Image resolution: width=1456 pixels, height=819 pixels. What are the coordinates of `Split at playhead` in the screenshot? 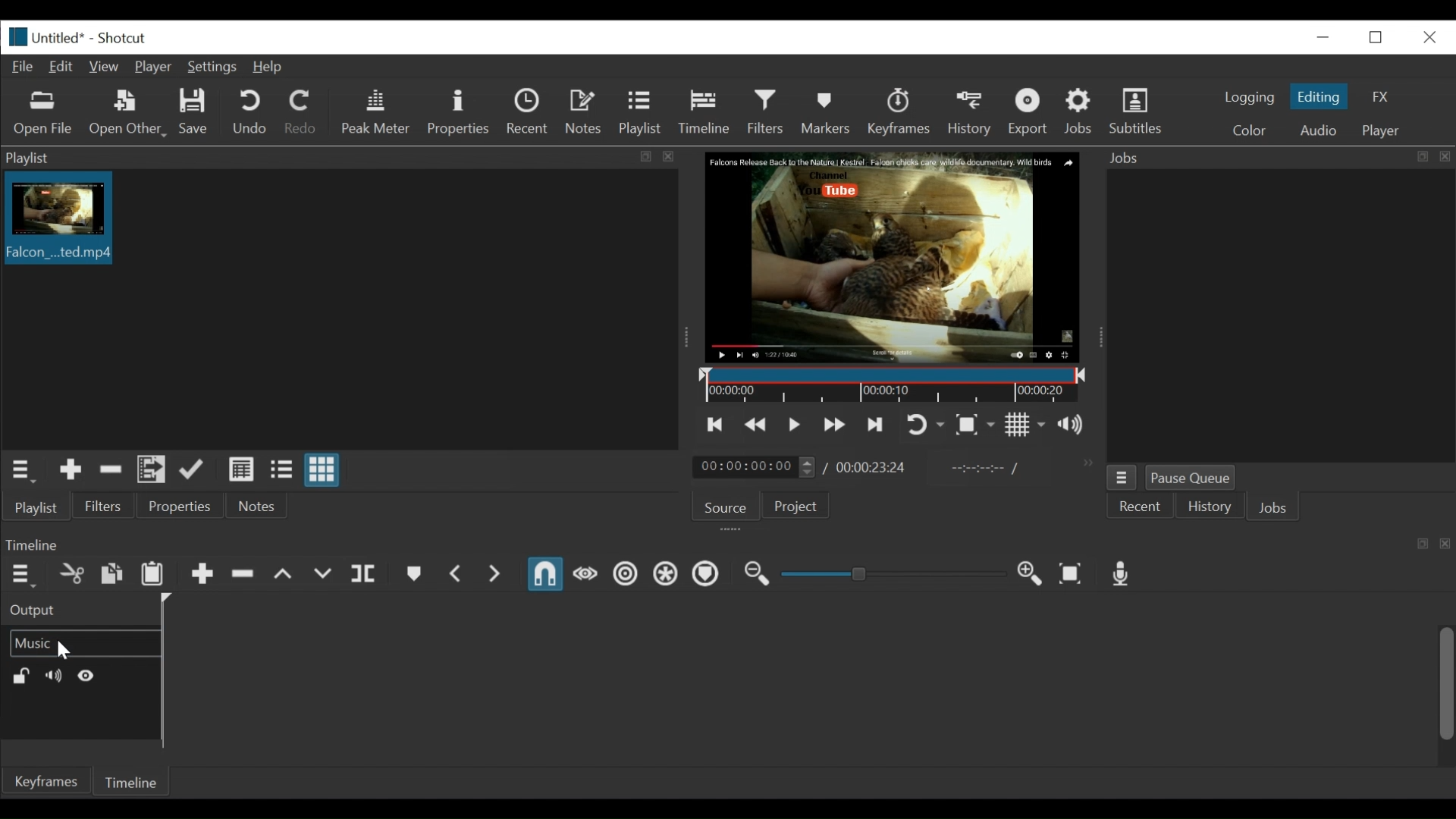 It's located at (362, 574).